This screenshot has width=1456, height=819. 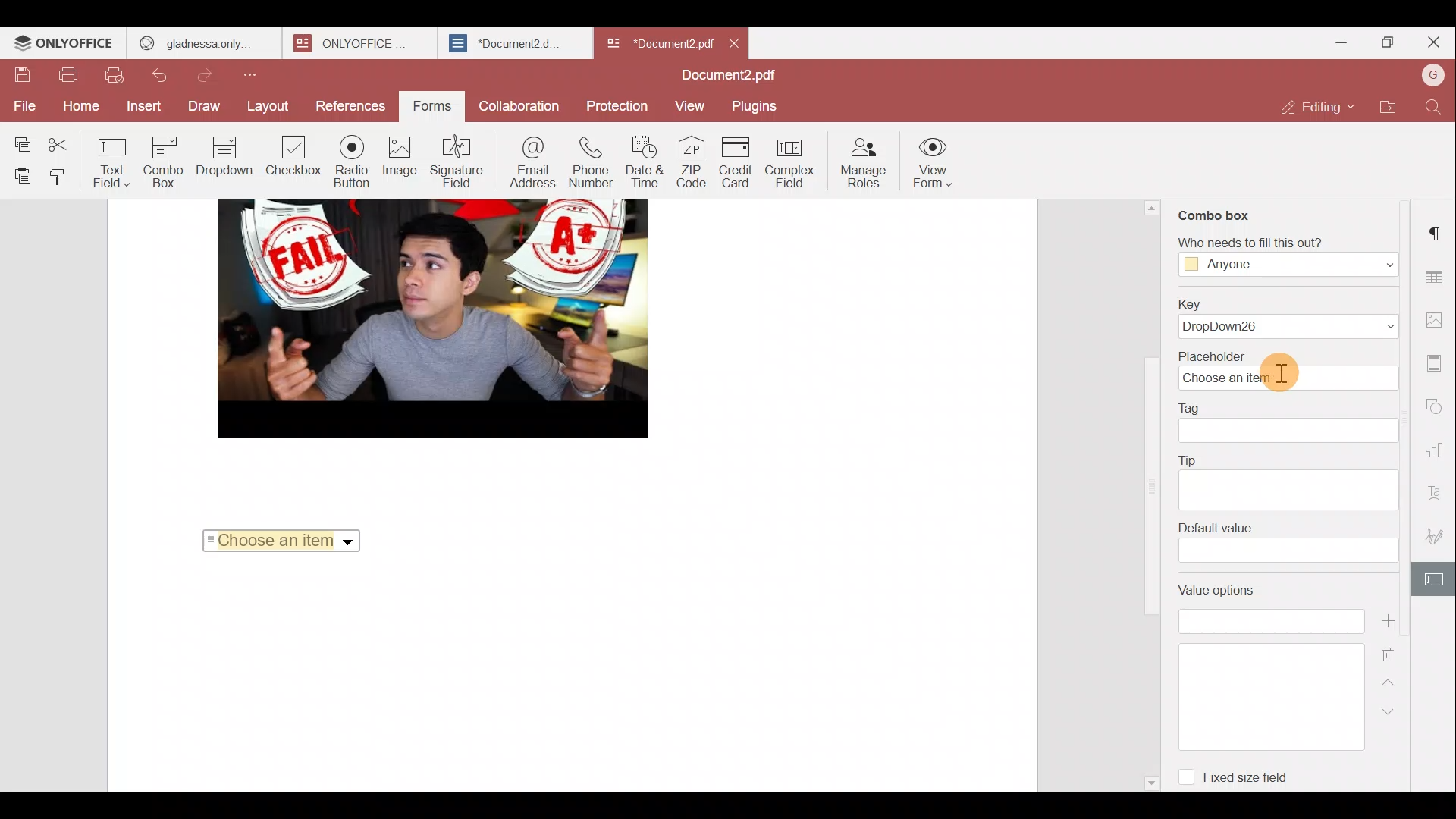 I want to click on Date & time, so click(x=645, y=165).